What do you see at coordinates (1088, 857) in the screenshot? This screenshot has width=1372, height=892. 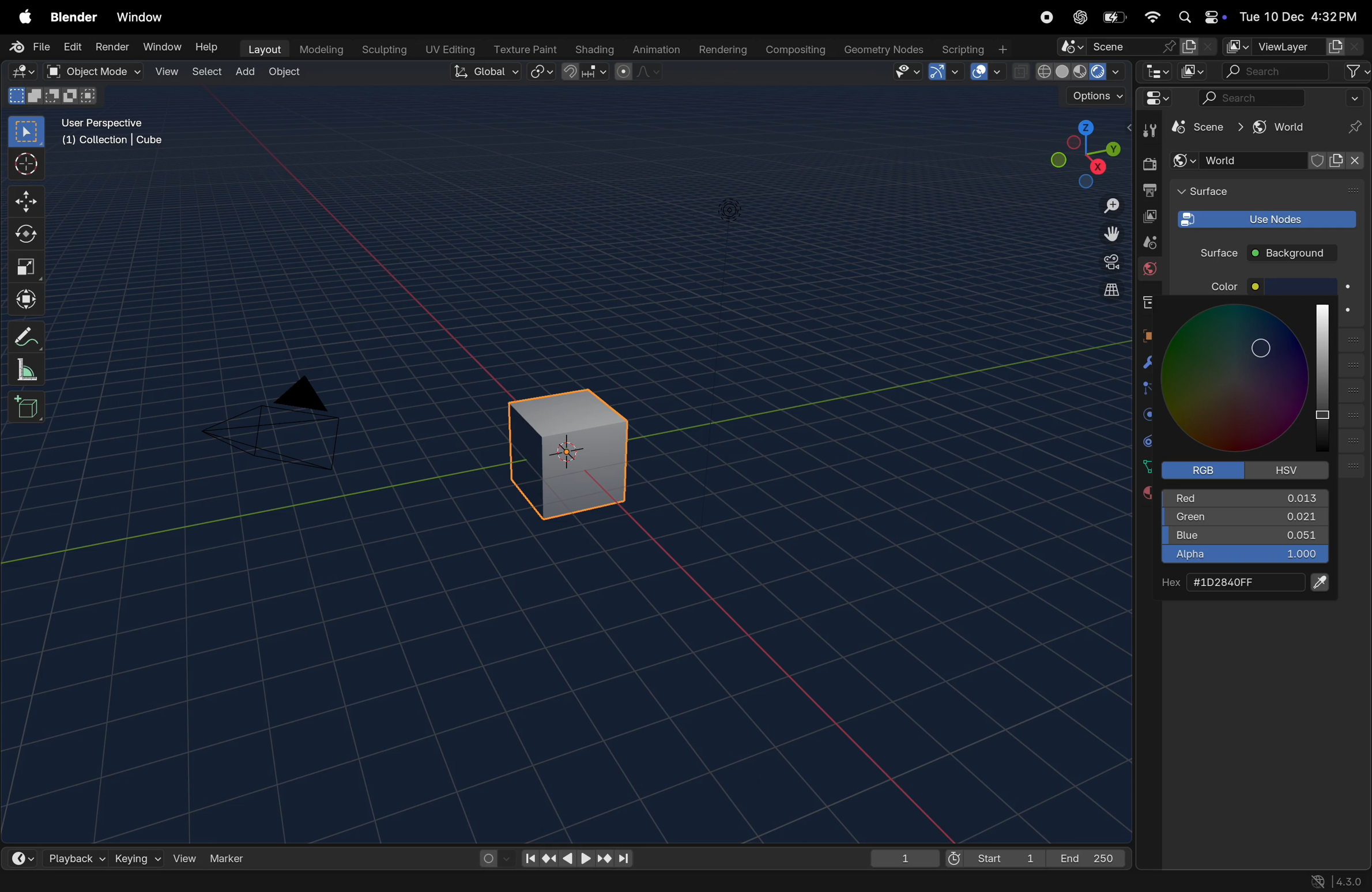 I see `End 250` at bounding box center [1088, 857].